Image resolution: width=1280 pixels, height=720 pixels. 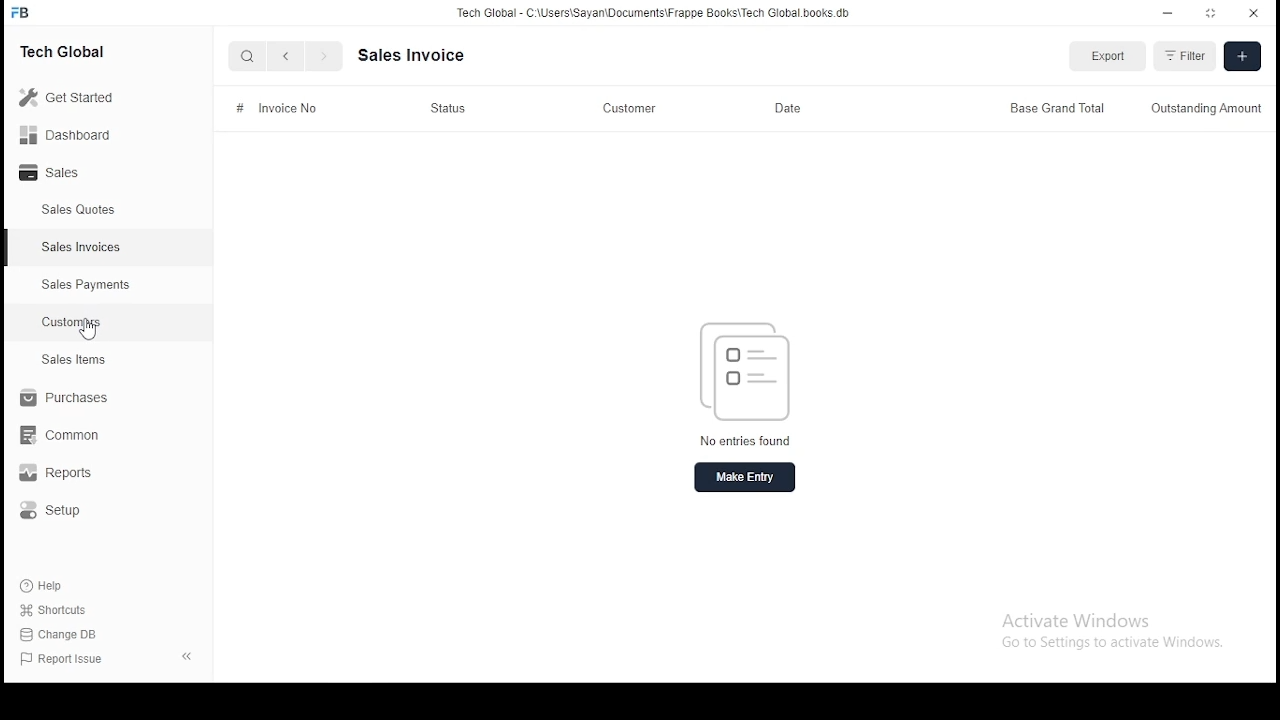 I want to click on export, so click(x=1105, y=58).